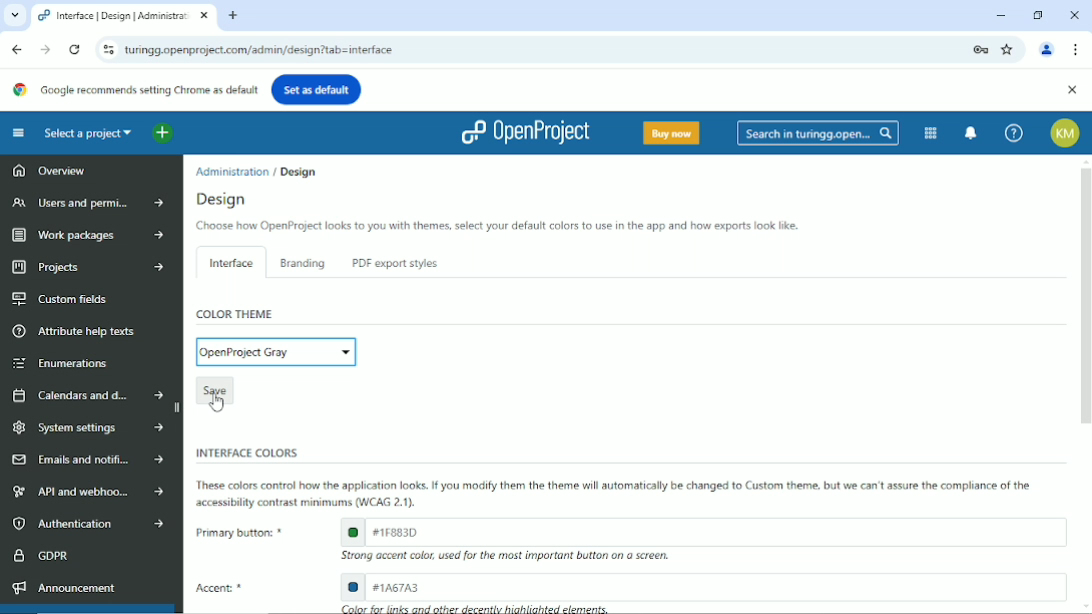 Image resolution: width=1092 pixels, height=614 pixels. Describe the element at coordinates (236, 532) in the screenshot. I see `Primary button` at that location.